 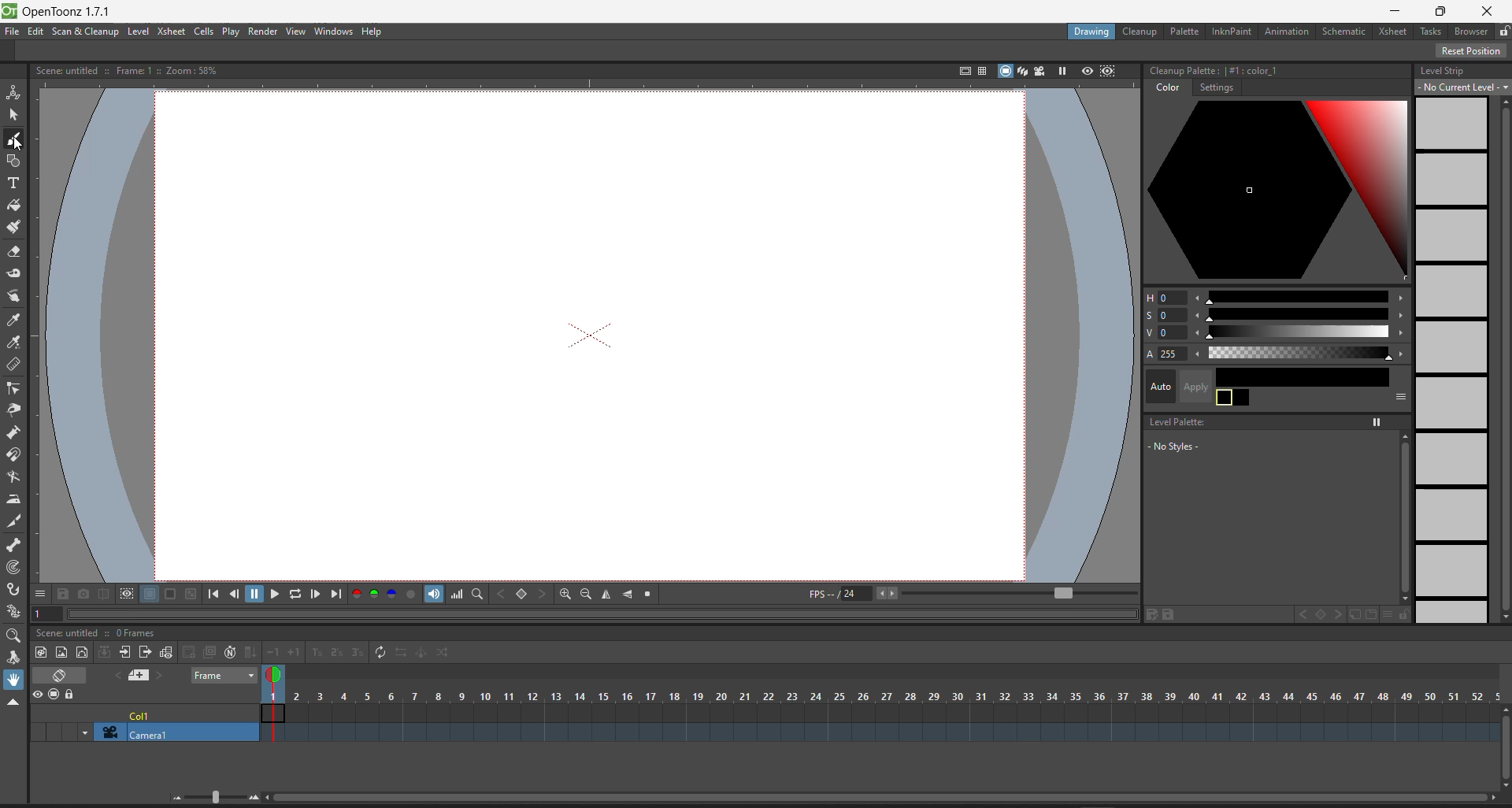 I want to click on previous key, so click(x=1295, y=614).